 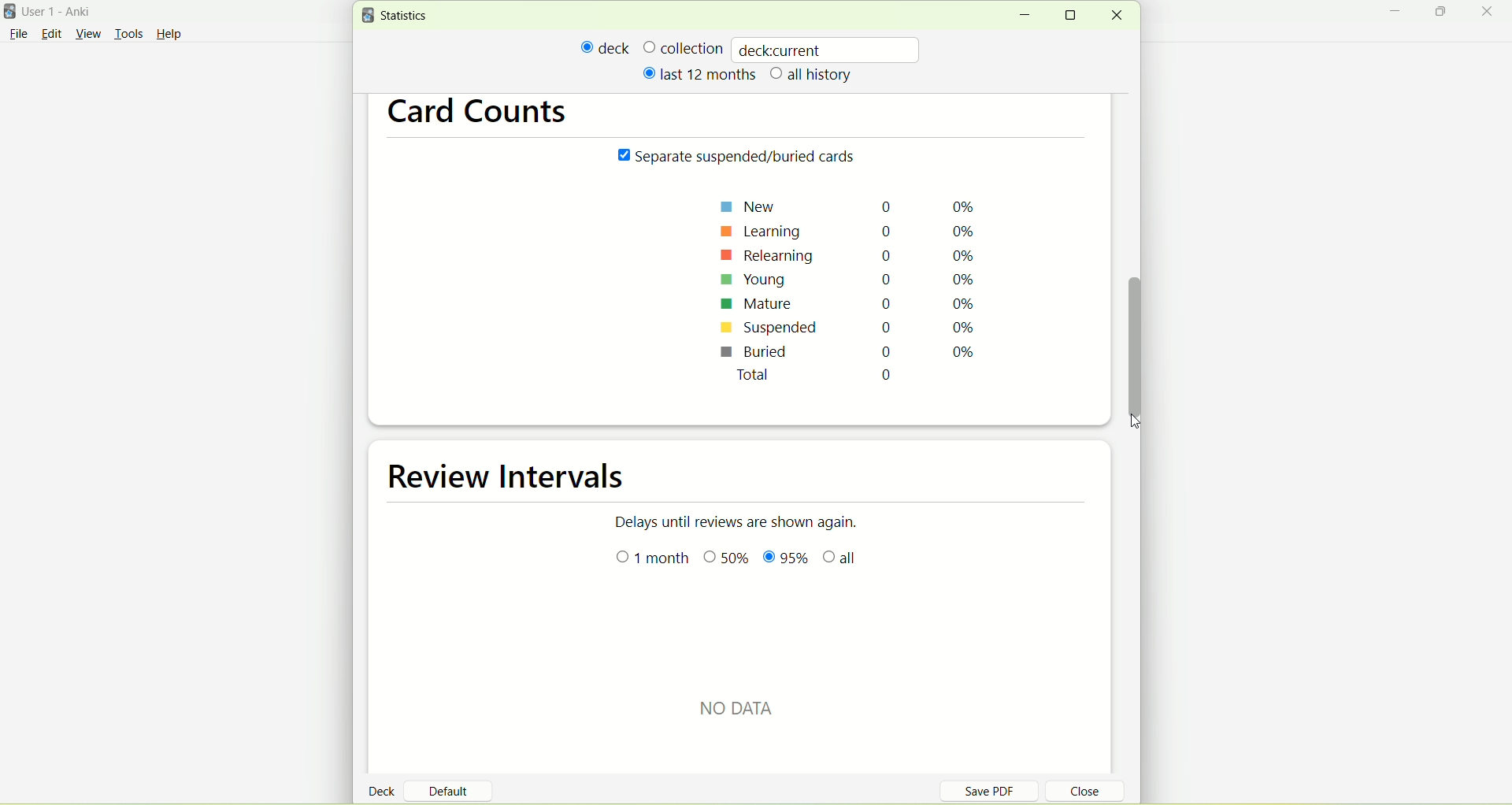 I want to click on suspended 0 0%, so click(x=847, y=330).